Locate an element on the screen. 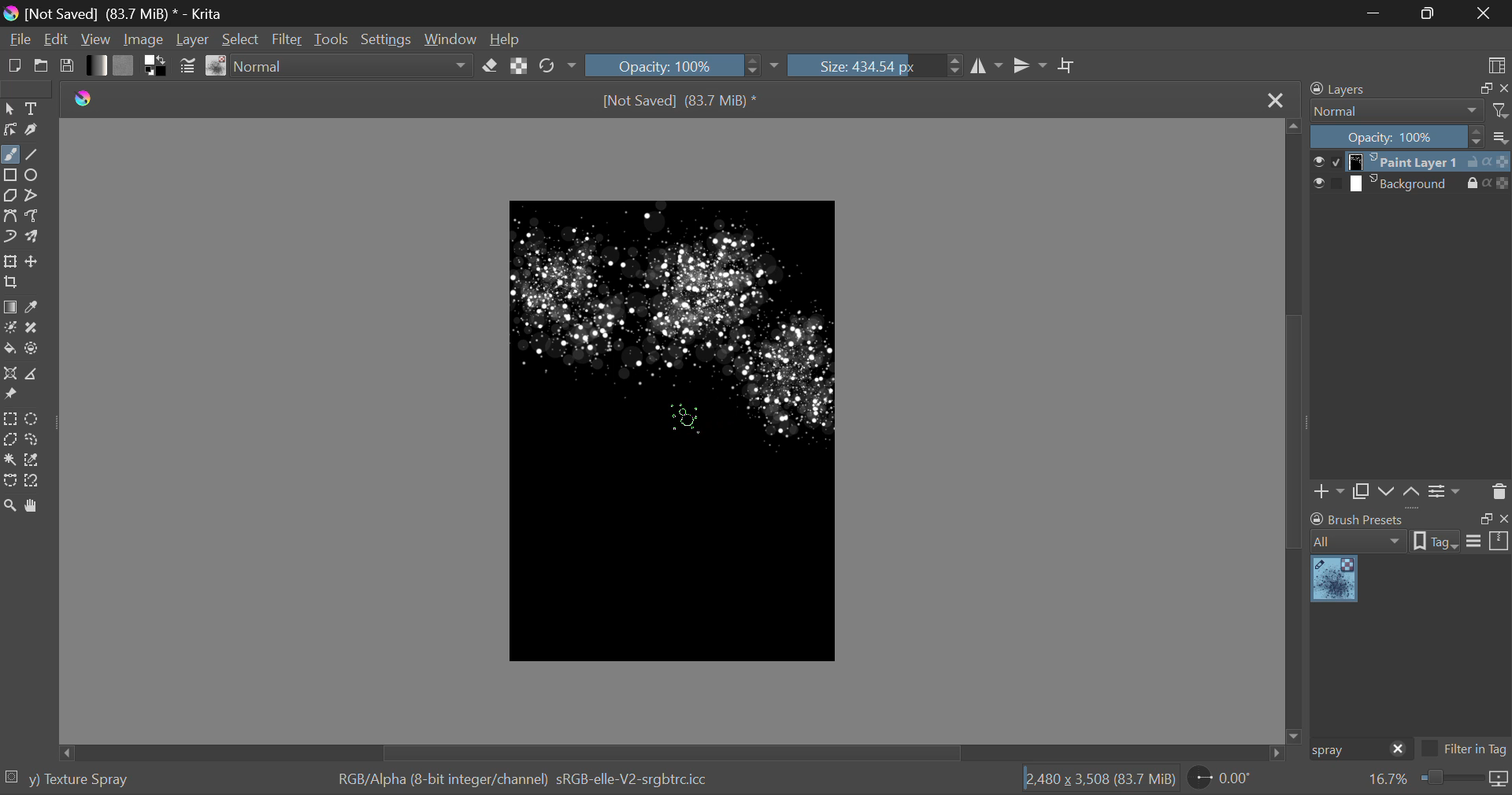  Assistant Tool is located at coordinates (9, 374).